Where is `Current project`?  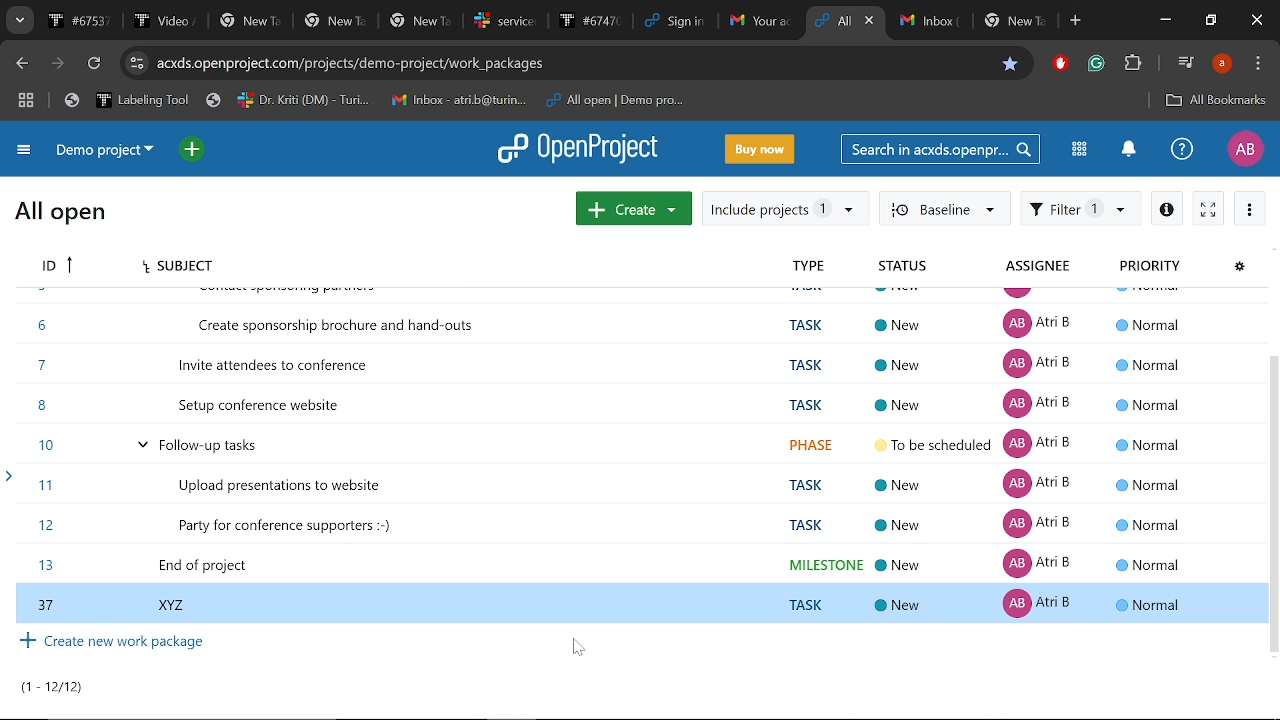
Current project is located at coordinates (103, 152).